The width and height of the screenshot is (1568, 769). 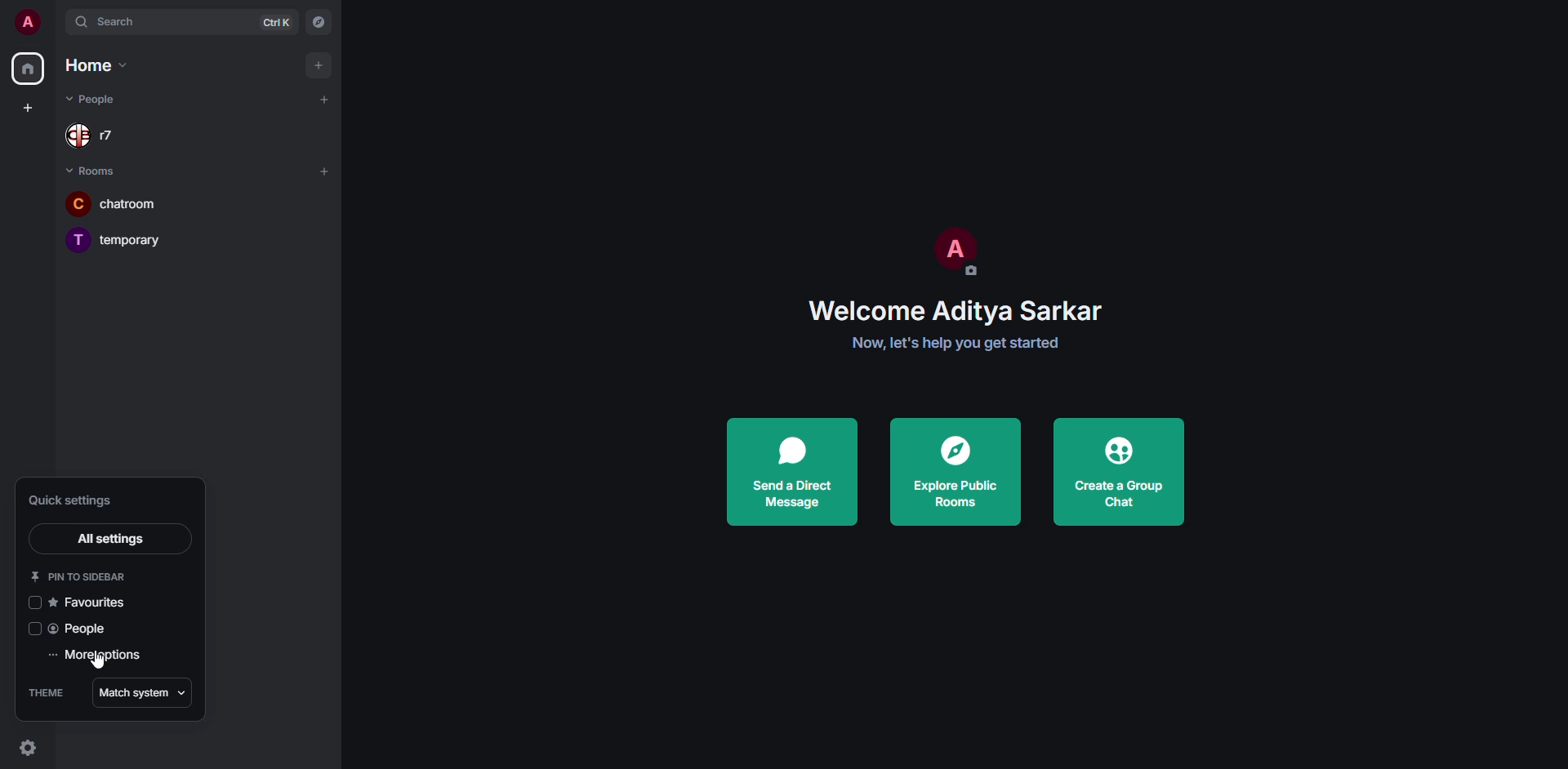 I want to click on click to enable, so click(x=31, y=603).